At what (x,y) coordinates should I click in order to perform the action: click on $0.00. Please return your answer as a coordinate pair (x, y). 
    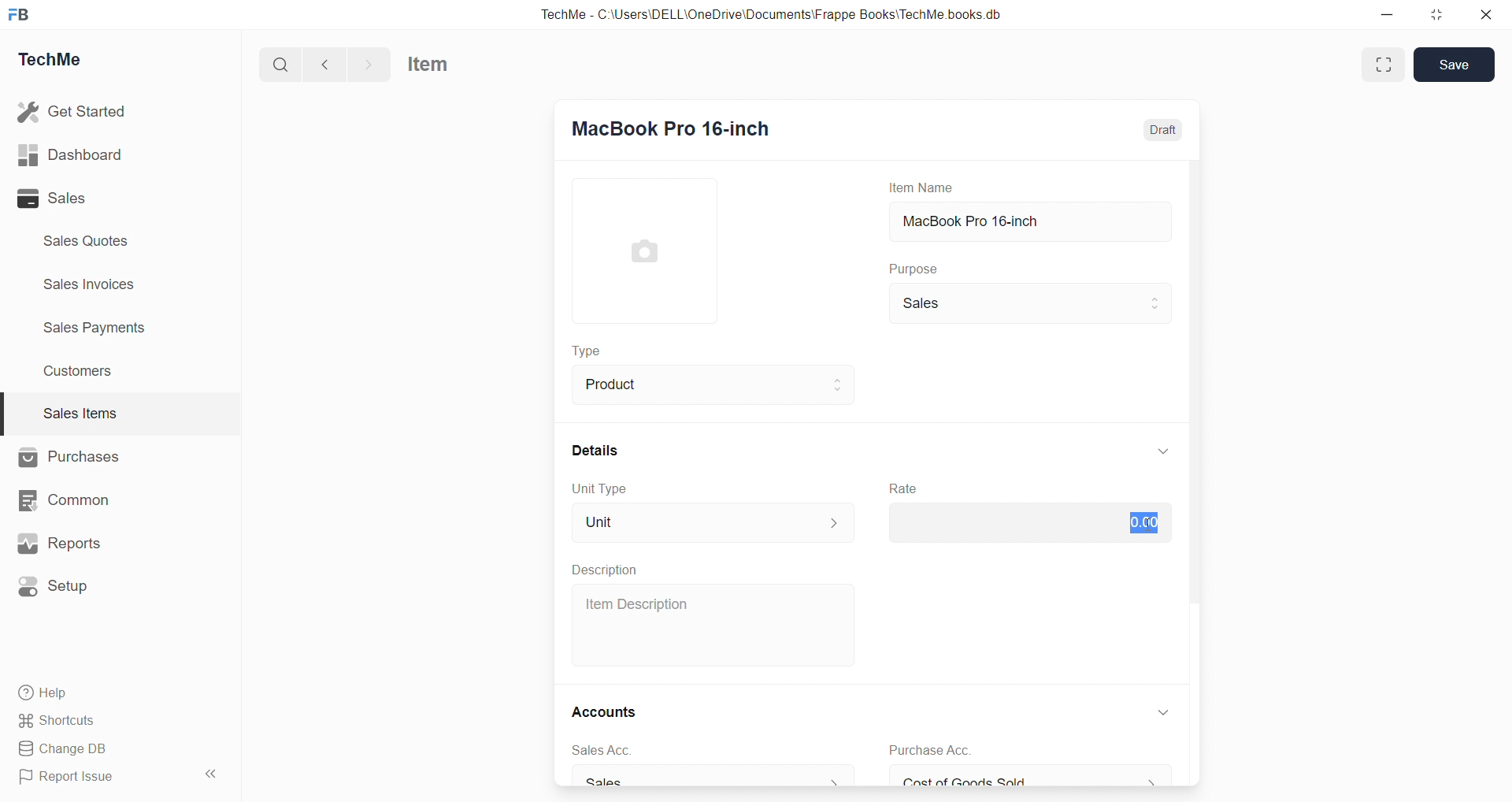
    Looking at the image, I should click on (1028, 524).